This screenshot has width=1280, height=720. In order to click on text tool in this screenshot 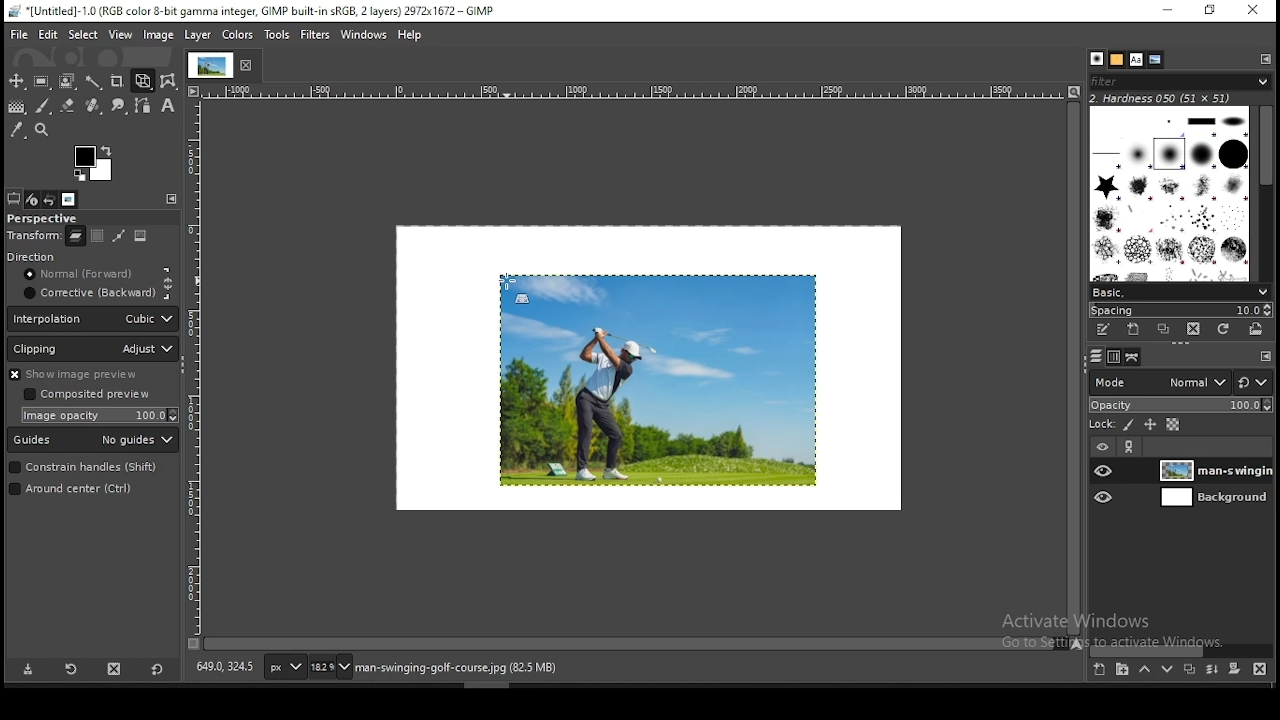, I will do `click(168, 107)`.